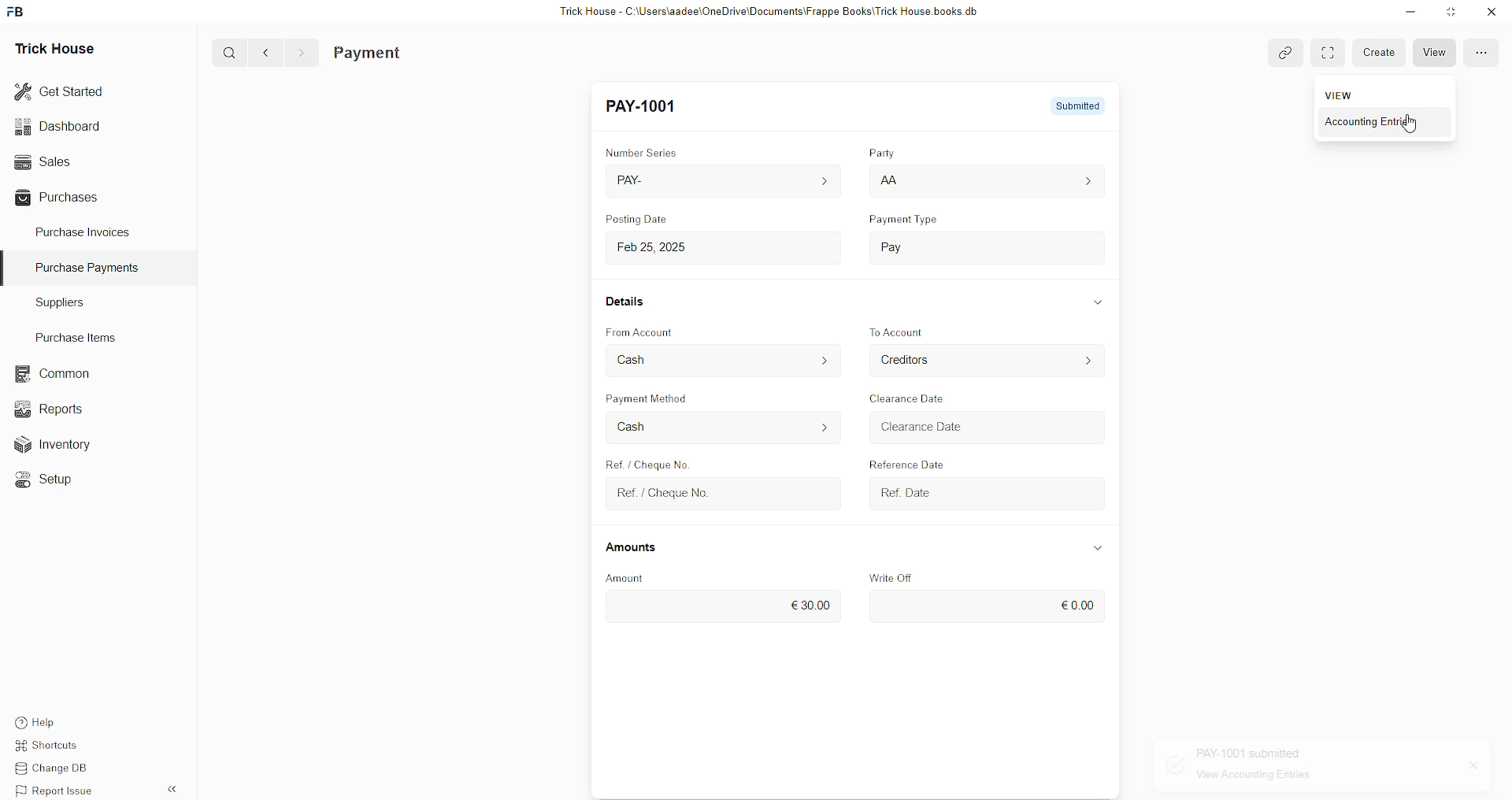  Describe the element at coordinates (80, 335) in the screenshot. I see `Purchase Items` at that location.